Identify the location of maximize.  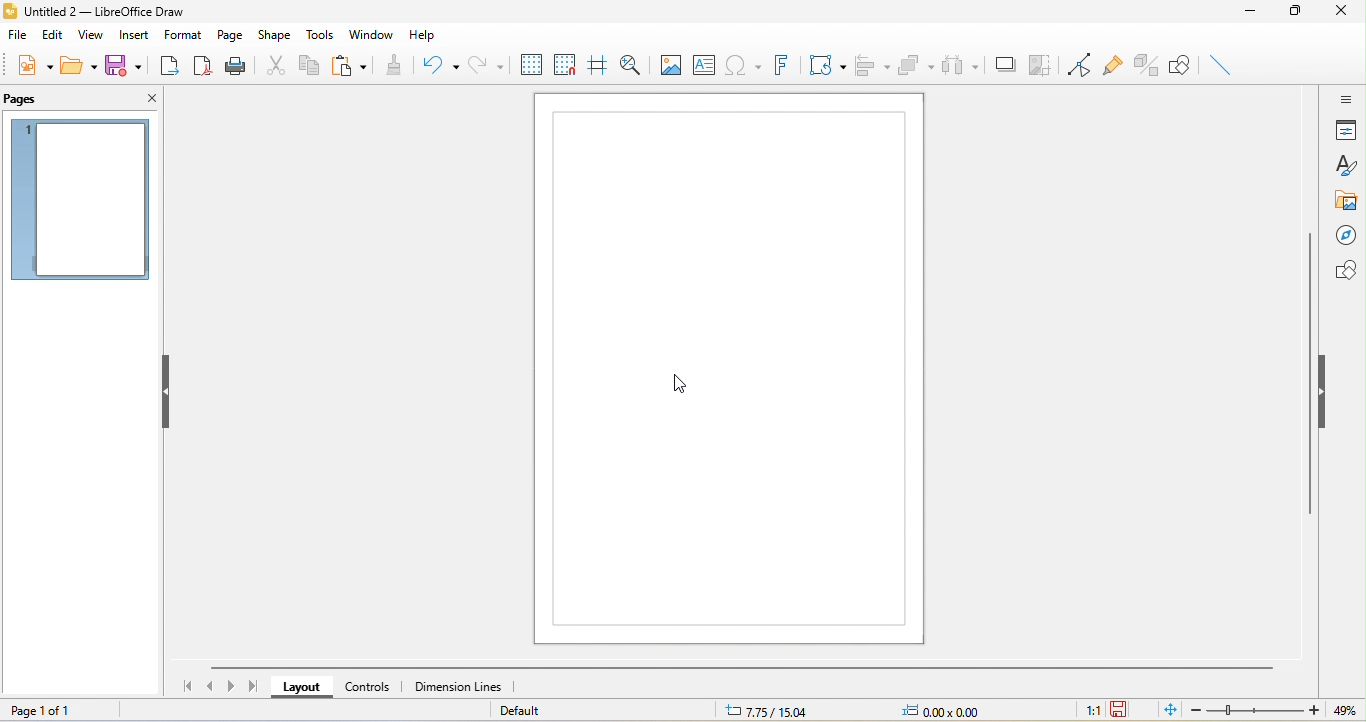
(1294, 14).